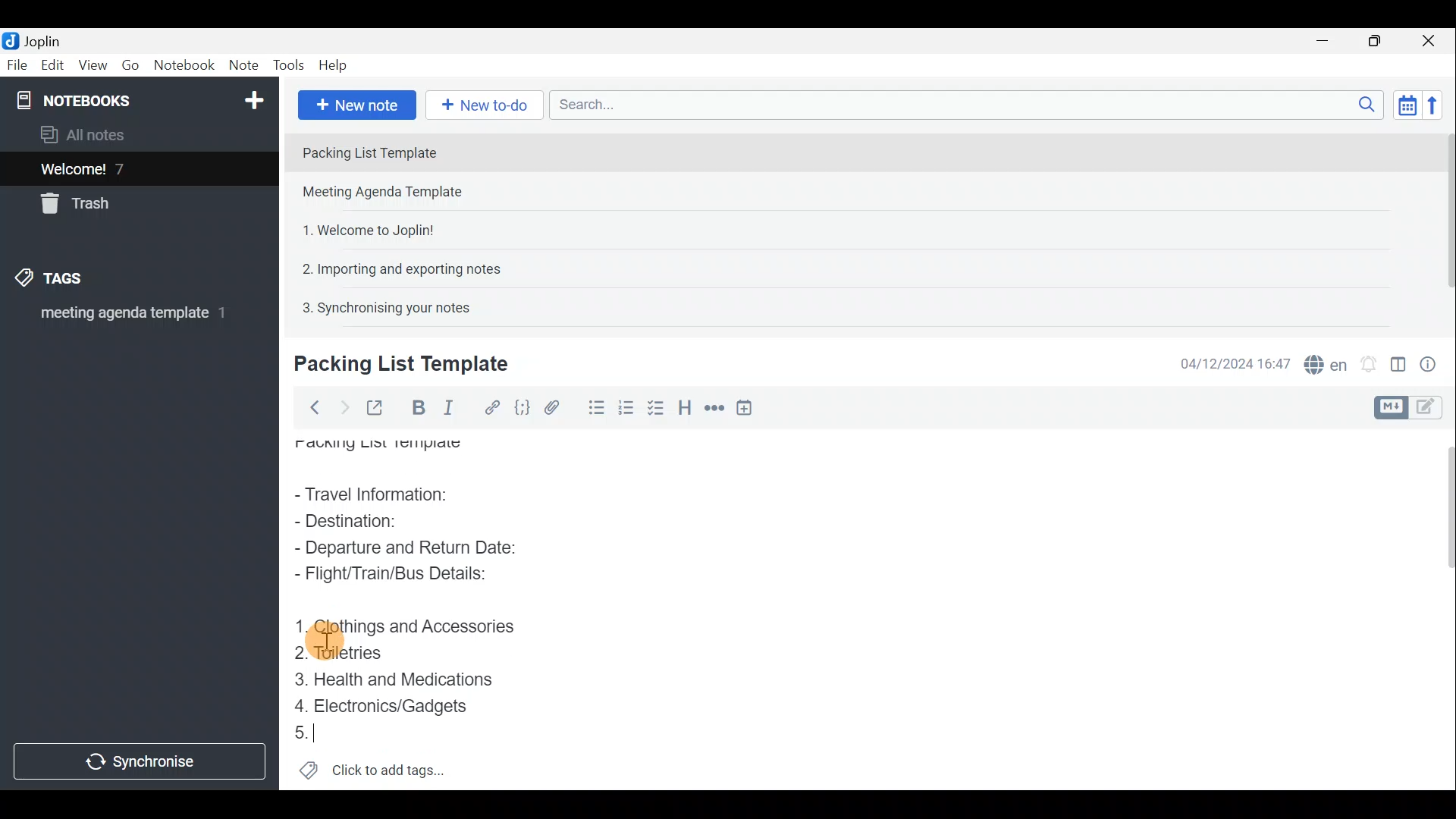 The height and width of the screenshot is (819, 1456). I want to click on Note 2, so click(397, 193).